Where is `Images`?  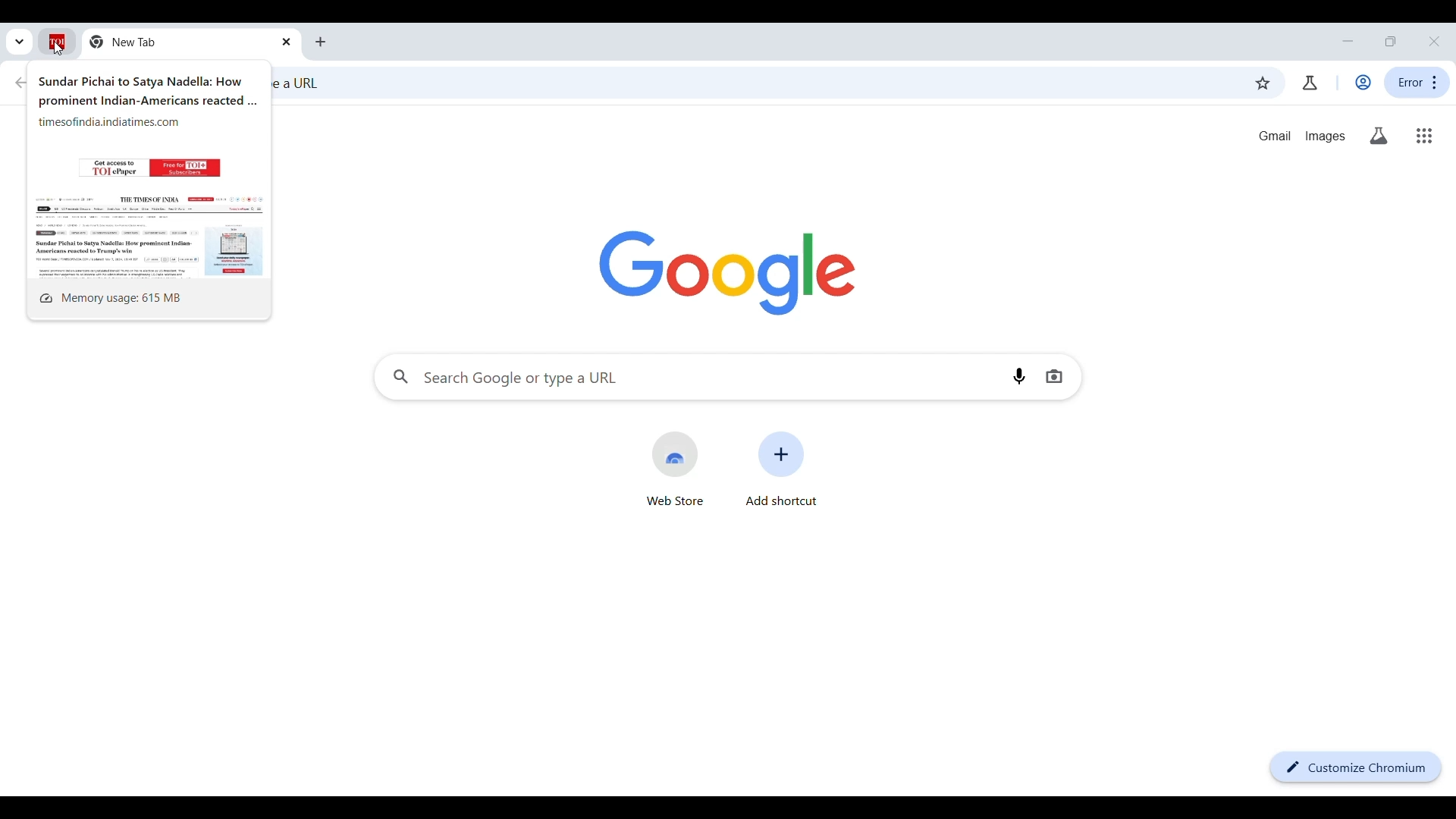
Images is located at coordinates (1326, 136).